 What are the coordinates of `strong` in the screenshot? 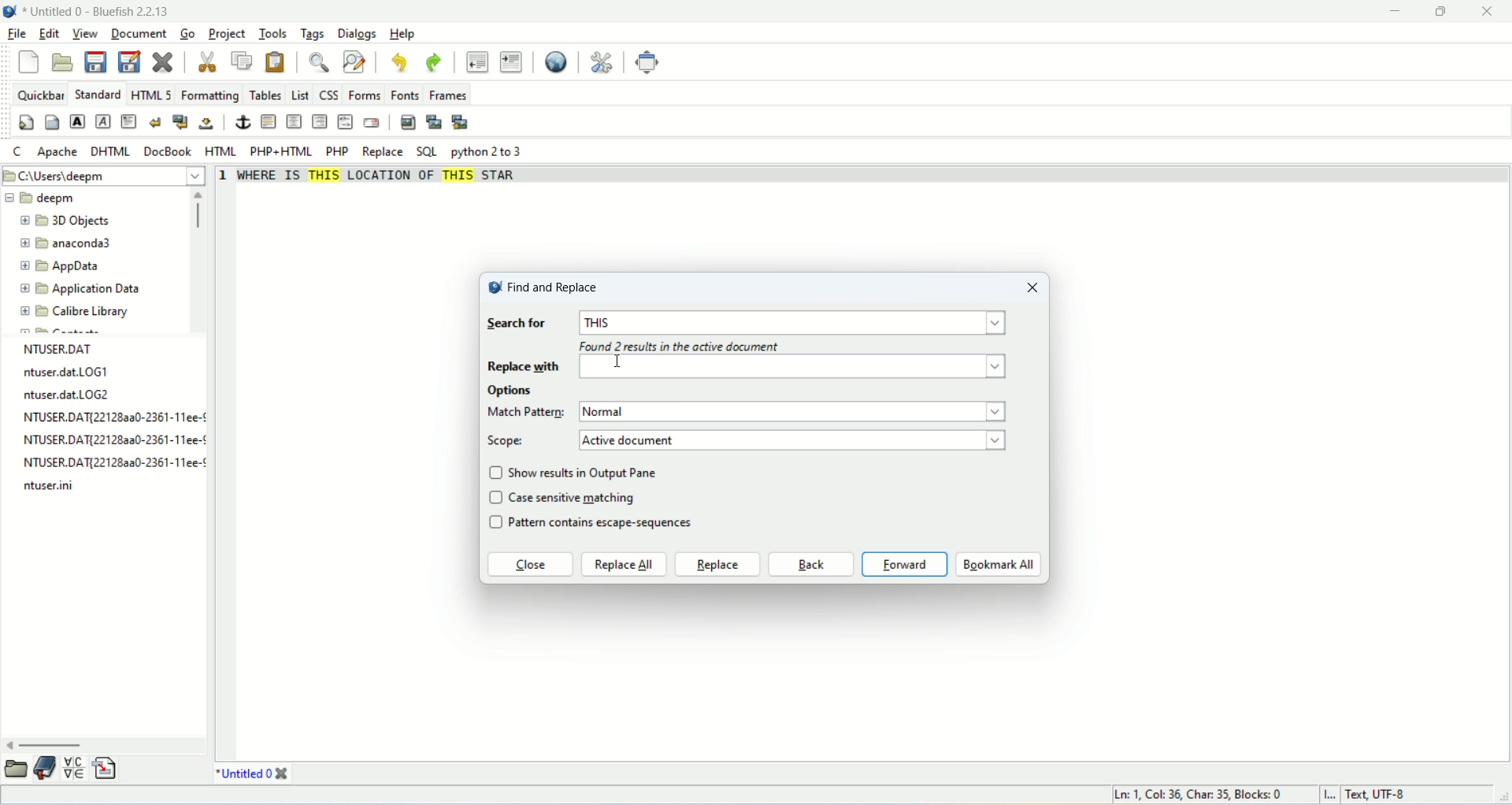 It's located at (77, 122).